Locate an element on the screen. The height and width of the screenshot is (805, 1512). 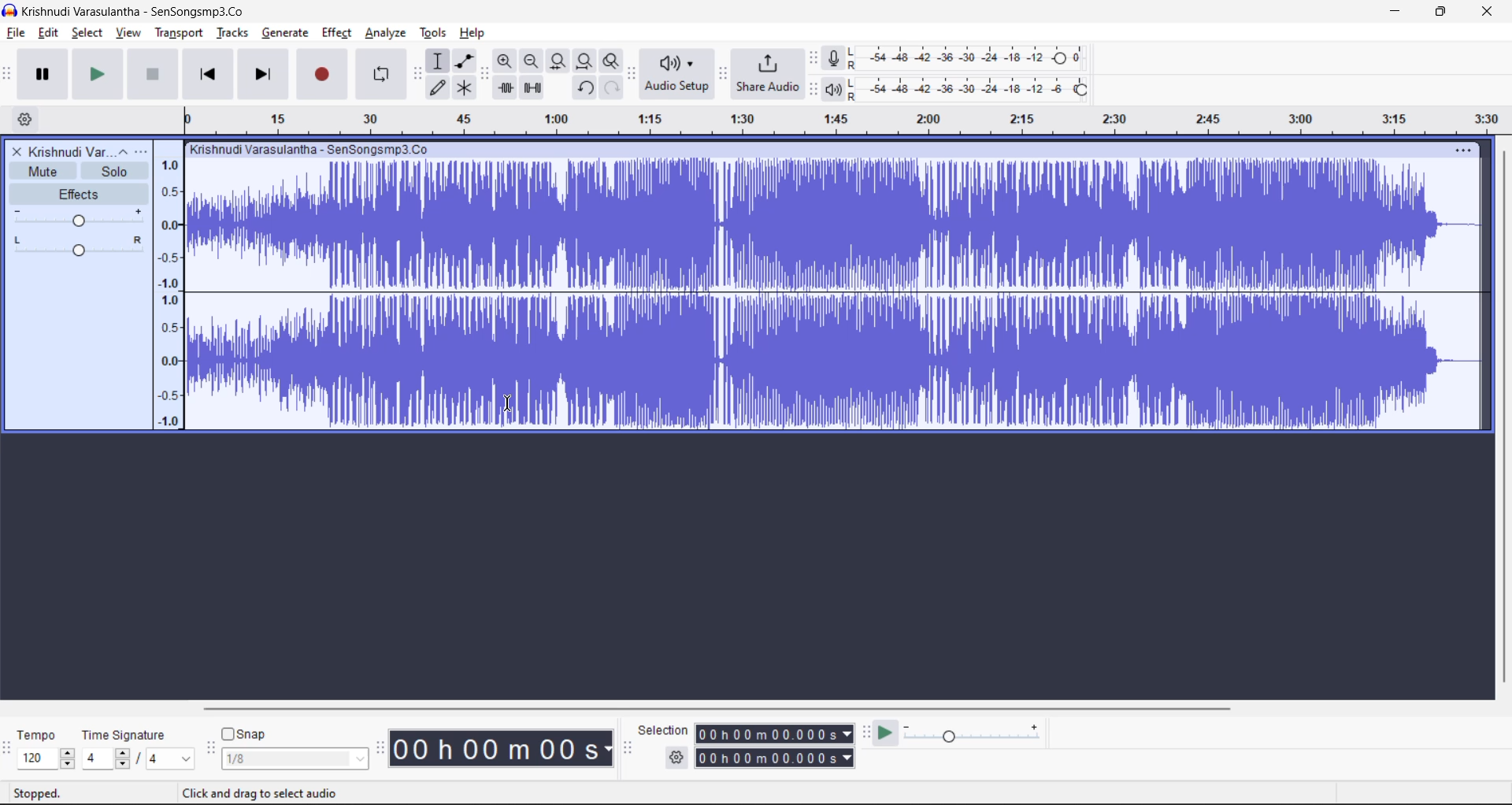
selection tool is located at coordinates (438, 61).